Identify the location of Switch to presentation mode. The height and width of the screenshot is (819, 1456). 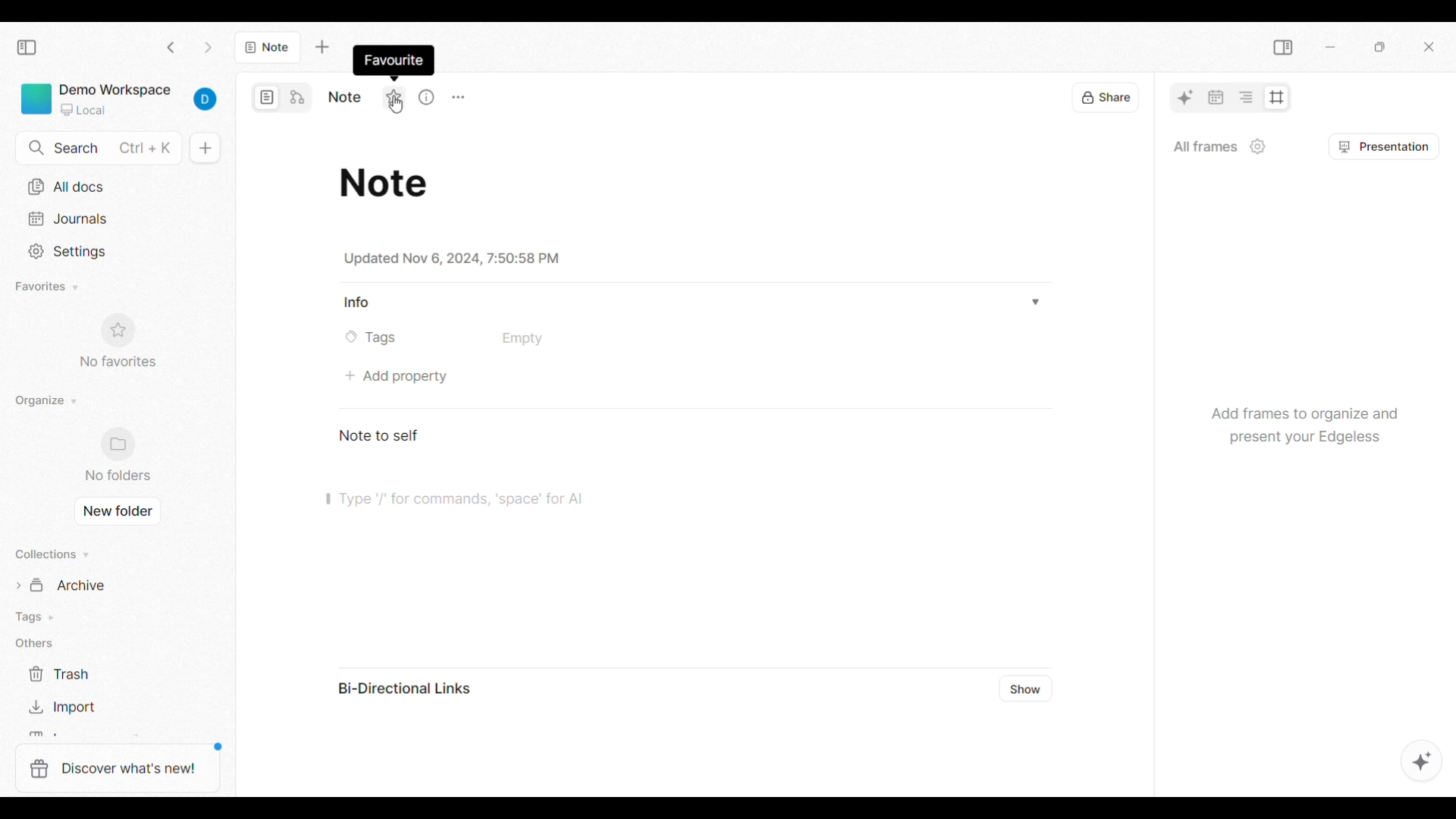
(1385, 146).